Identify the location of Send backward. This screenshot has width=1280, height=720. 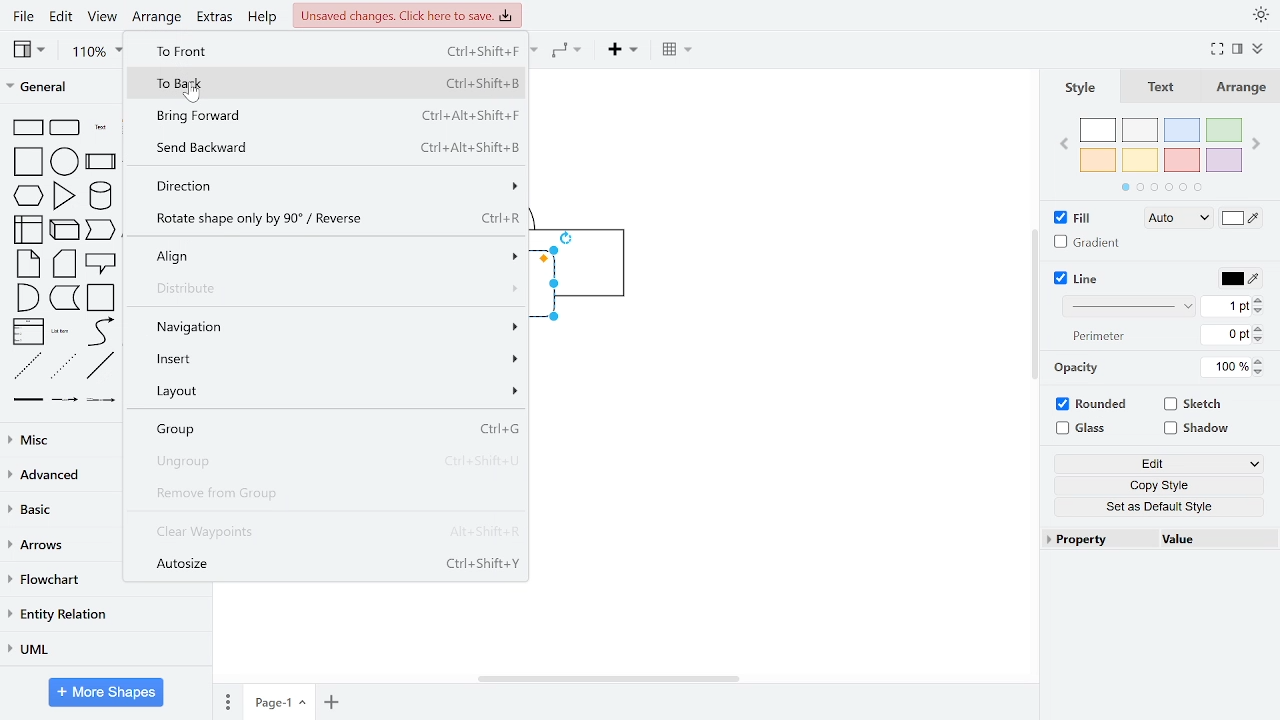
(335, 149).